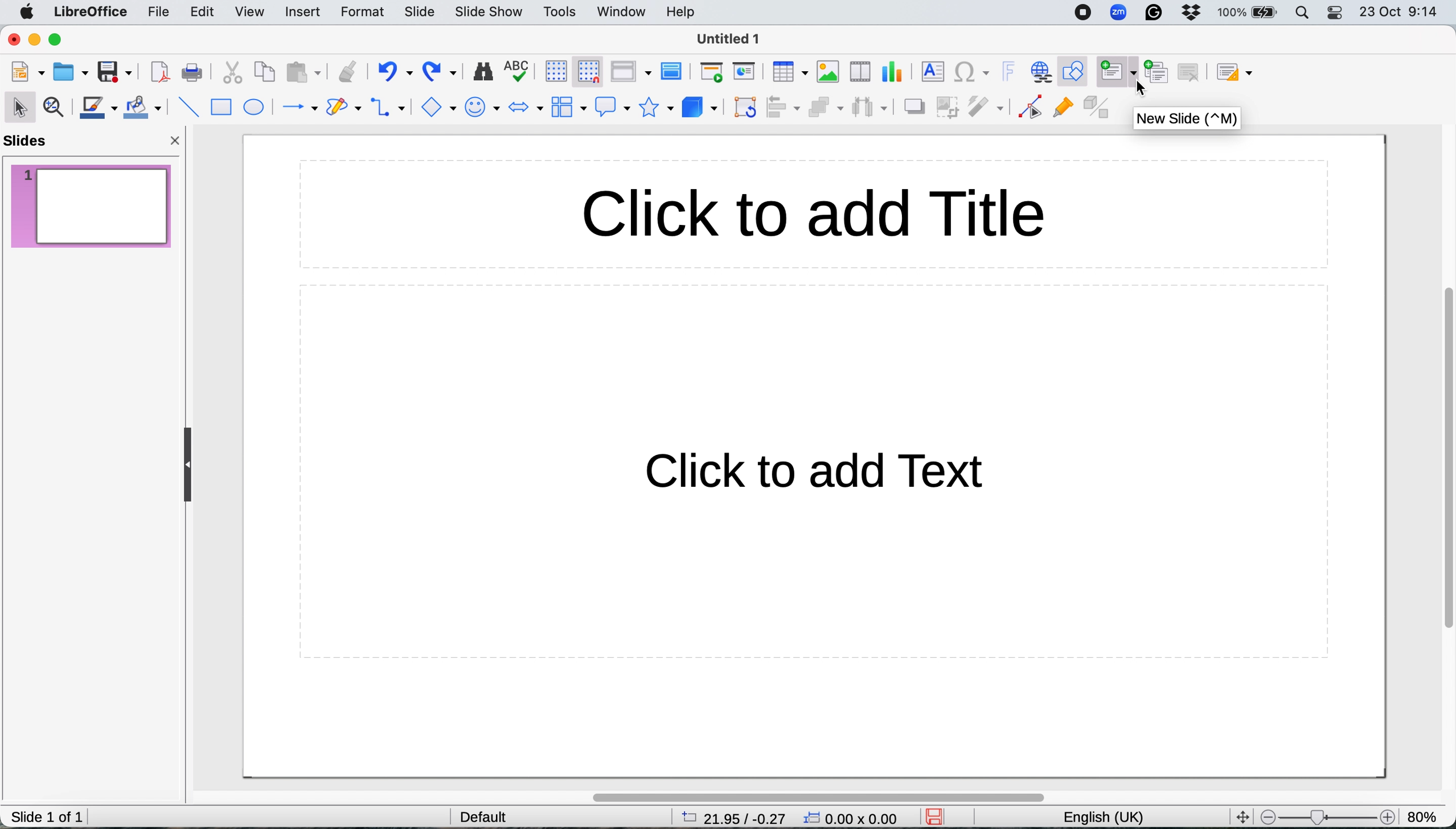 The width and height of the screenshot is (1456, 829). I want to click on flowchart, so click(567, 108).